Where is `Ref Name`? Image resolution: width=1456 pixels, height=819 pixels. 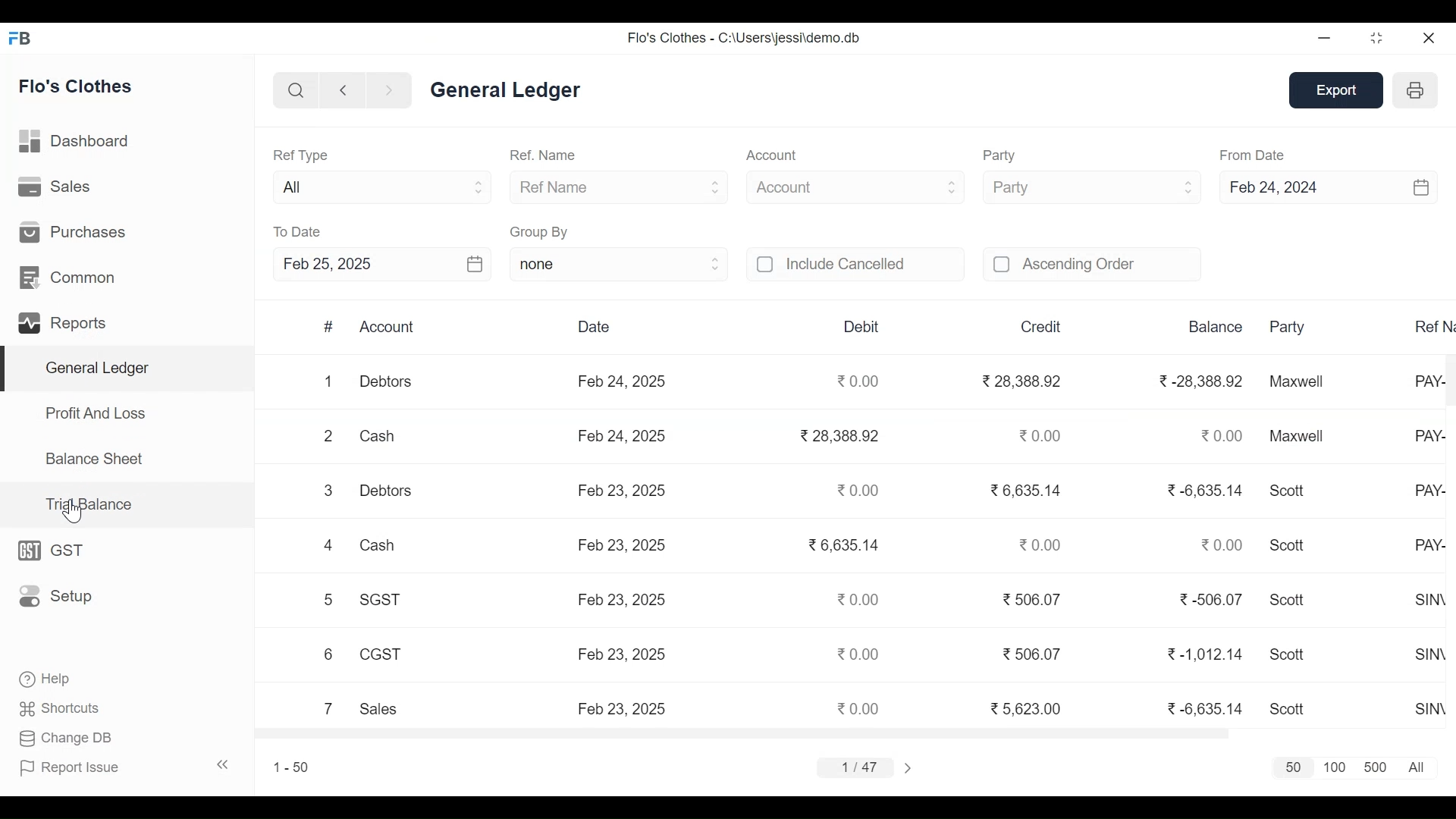
Ref Name is located at coordinates (1429, 325).